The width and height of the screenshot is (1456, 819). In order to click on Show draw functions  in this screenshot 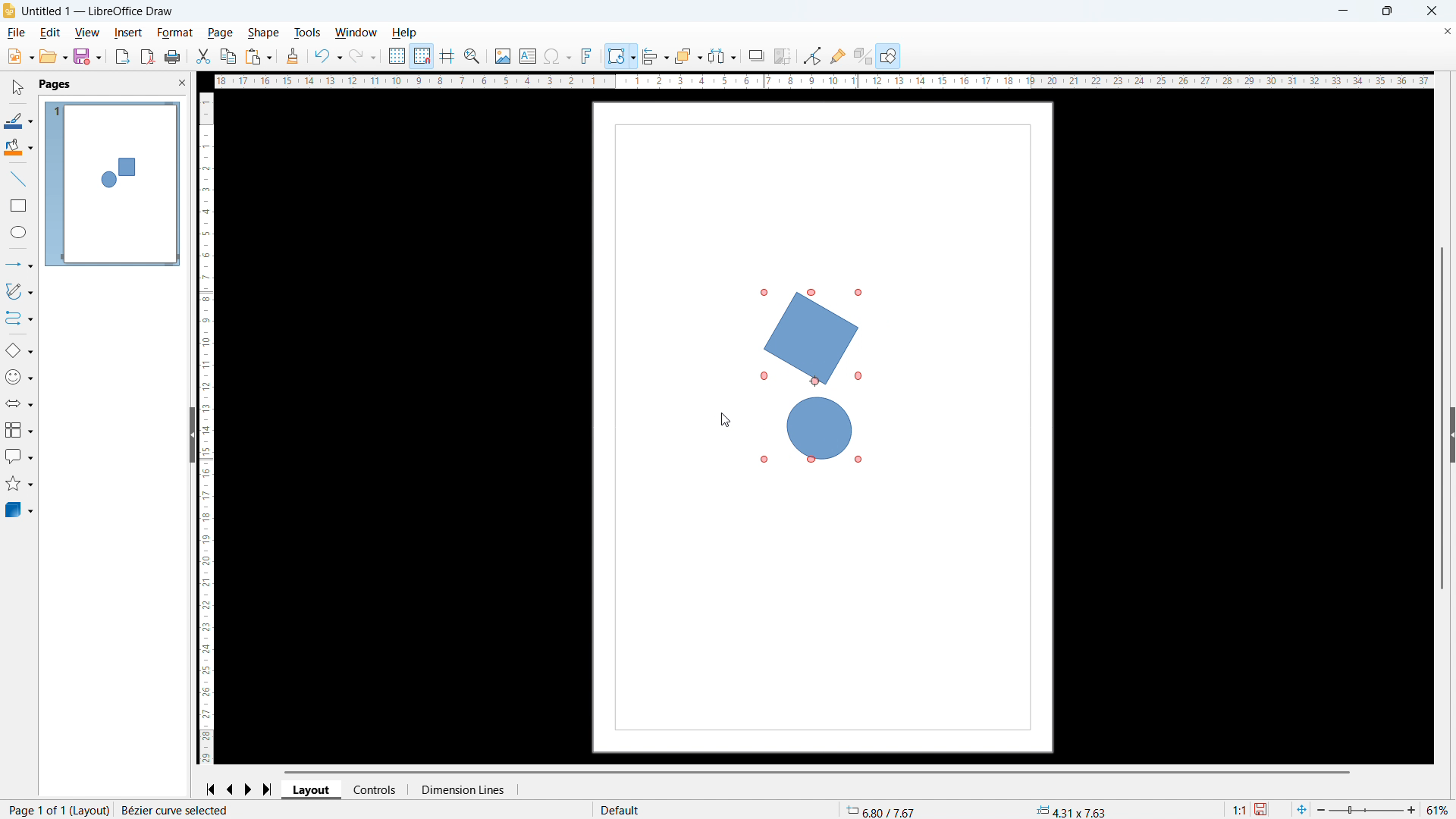, I will do `click(889, 55)`.